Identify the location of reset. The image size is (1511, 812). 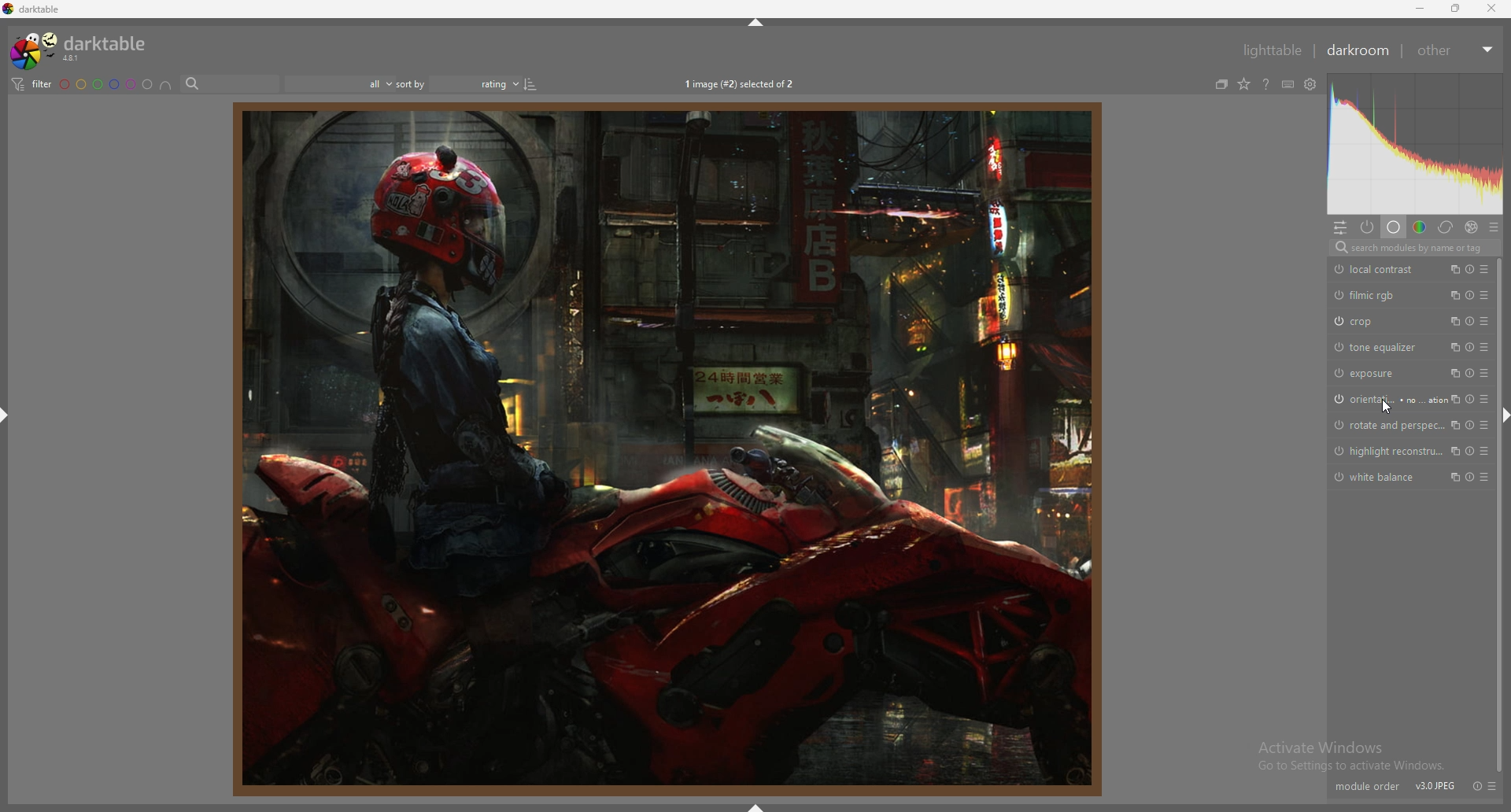
(1470, 372).